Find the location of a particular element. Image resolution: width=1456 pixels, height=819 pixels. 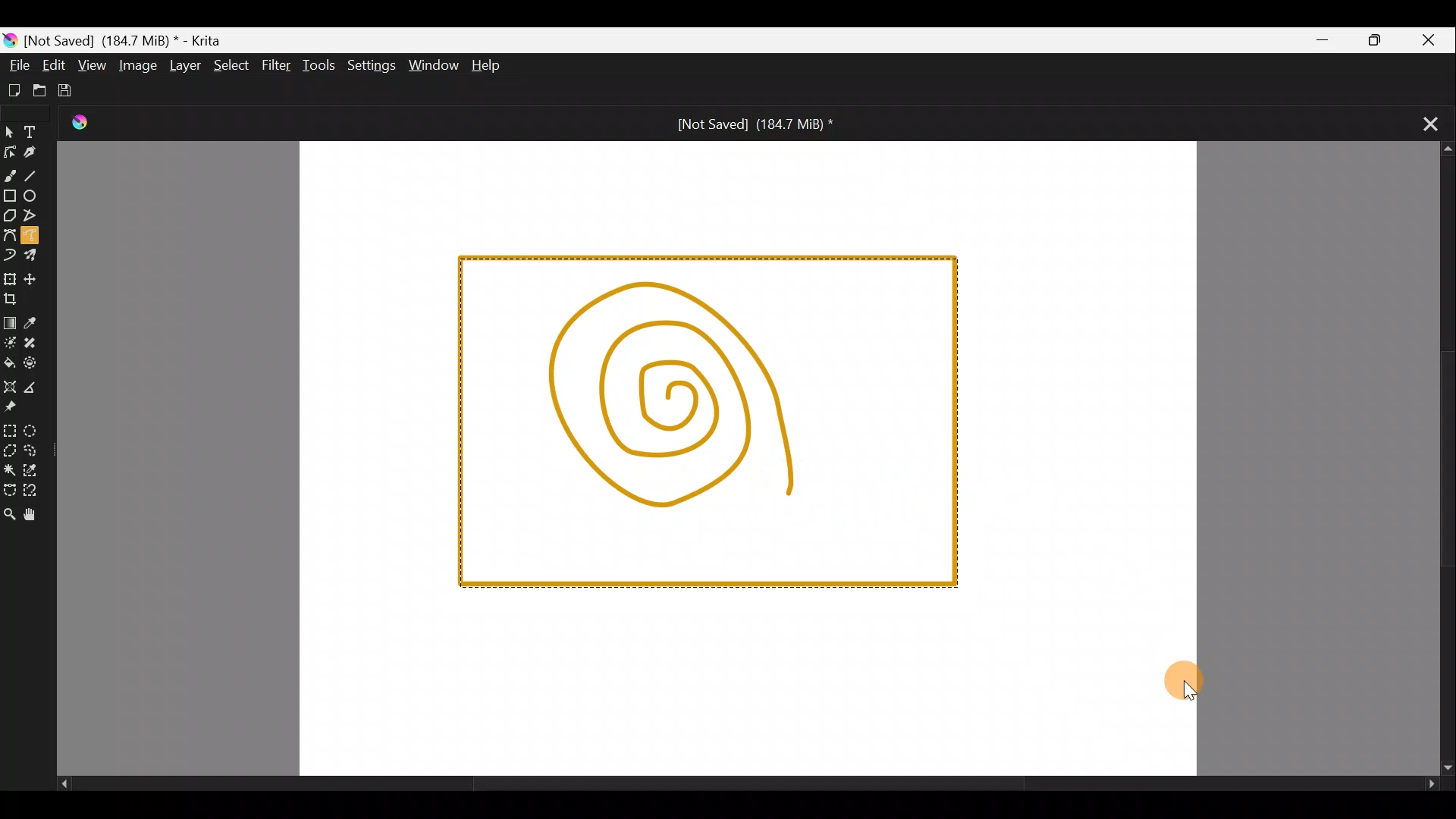

[Not Saved] (184.7 MiB) * is located at coordinates (759, 124).